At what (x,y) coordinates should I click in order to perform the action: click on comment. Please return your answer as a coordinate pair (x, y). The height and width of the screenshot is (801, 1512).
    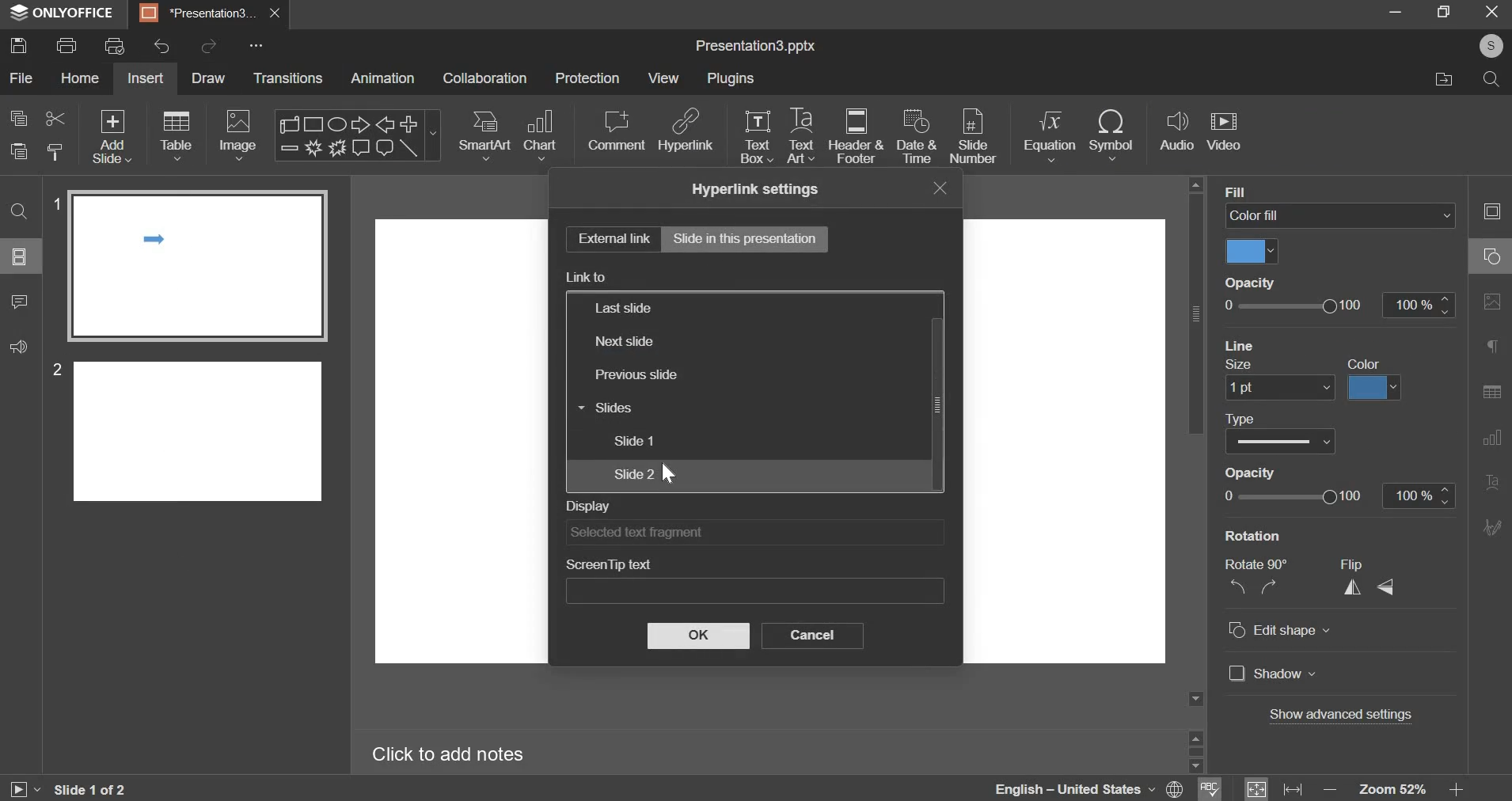
    Looking at the image, I should click on (616, 131).